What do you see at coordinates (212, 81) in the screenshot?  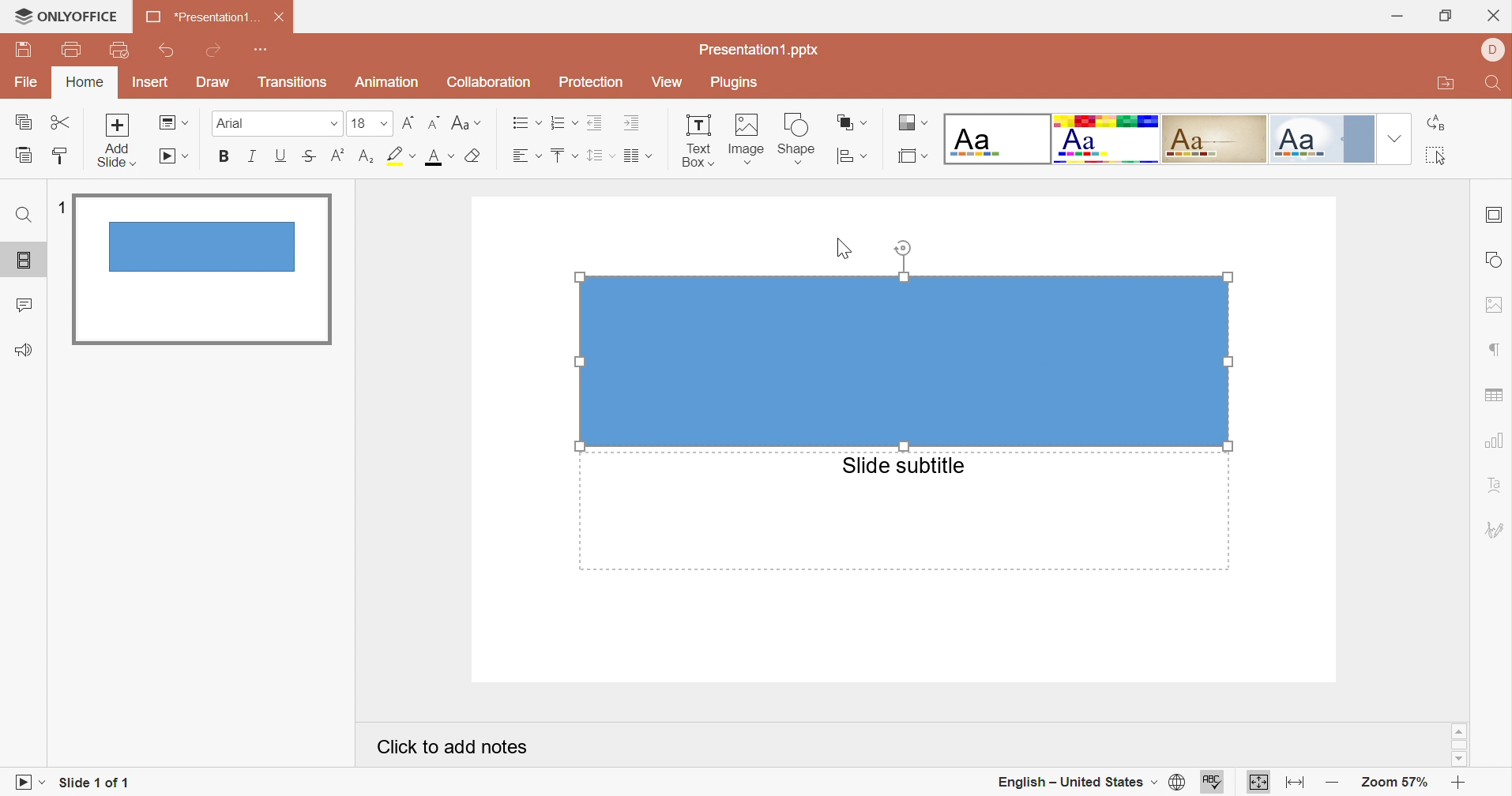 I see `Draw` at bounding box center [212, 81].